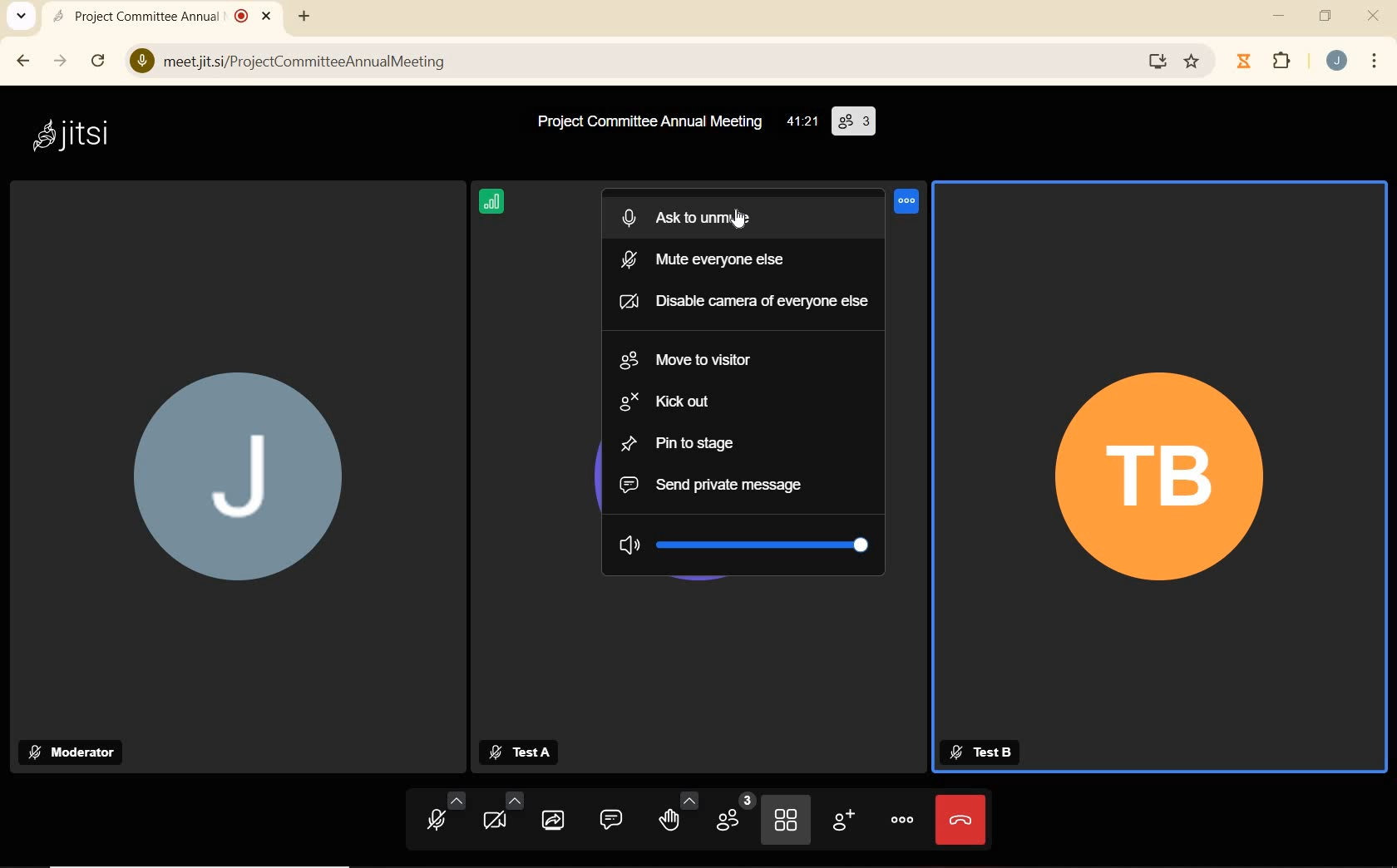 This screenshot has height=868, width=1397. What do you see at coordinates (268, 13) in the screenshot?
I see `CLOSE` at bounding box center [268, 13].